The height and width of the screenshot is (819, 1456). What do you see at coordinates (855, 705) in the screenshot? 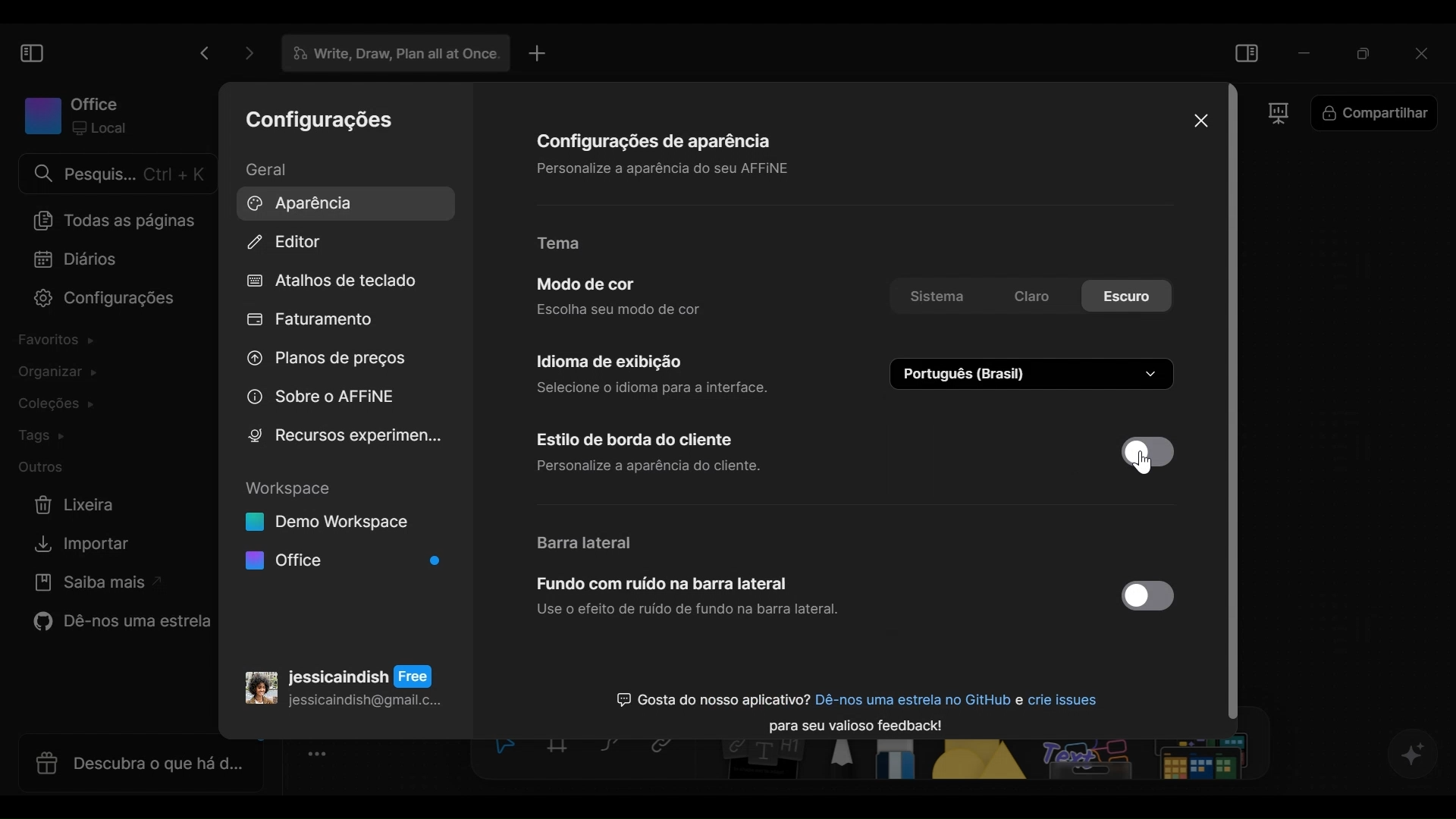
I see `text` at bounding box center [855, 705].